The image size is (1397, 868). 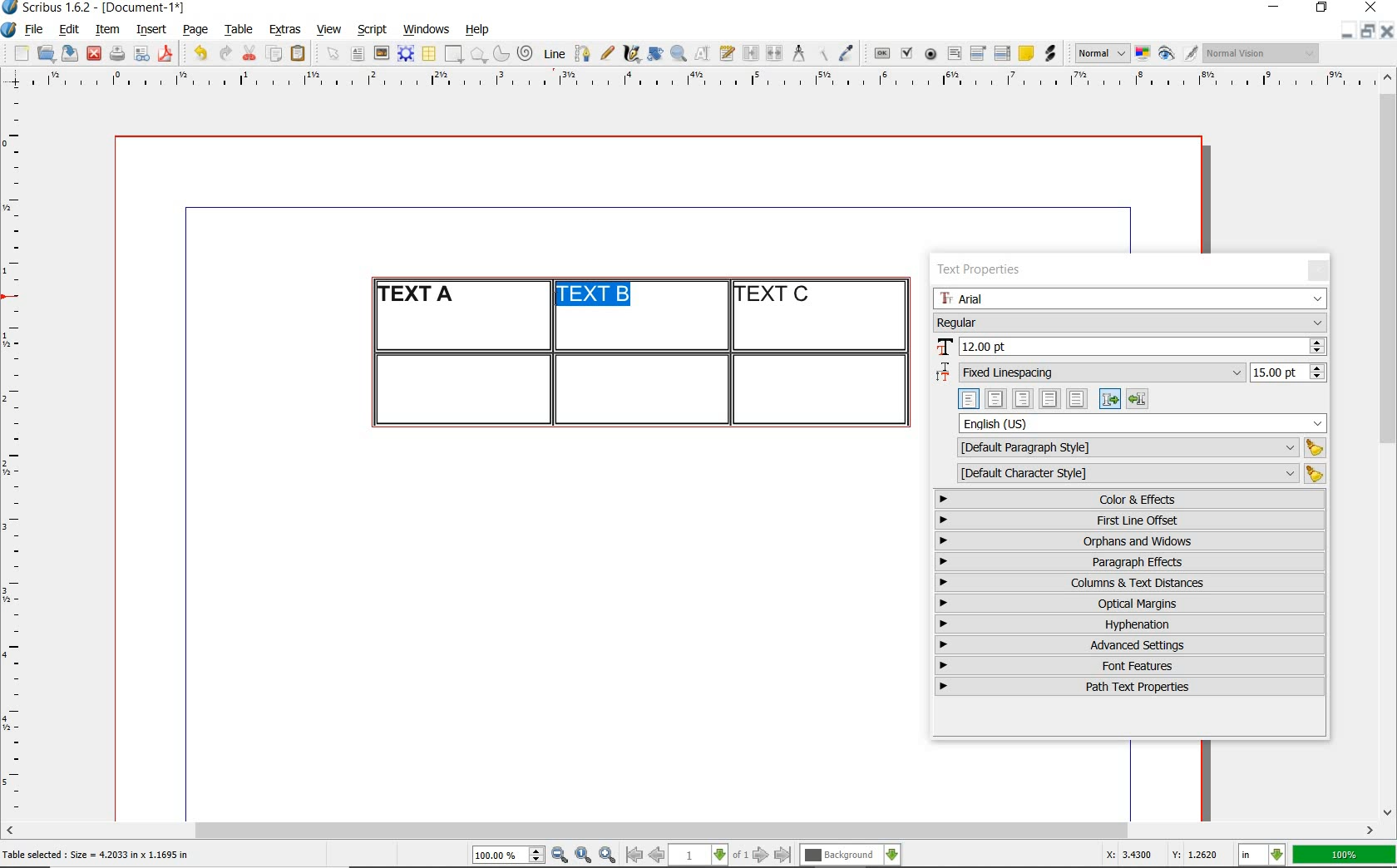 What do you see at coordinates (96, 854) in the screenshot?
I see `Table selected : Size = 4.2033 in x 1.1695 in` at bounding box center [96, 854].